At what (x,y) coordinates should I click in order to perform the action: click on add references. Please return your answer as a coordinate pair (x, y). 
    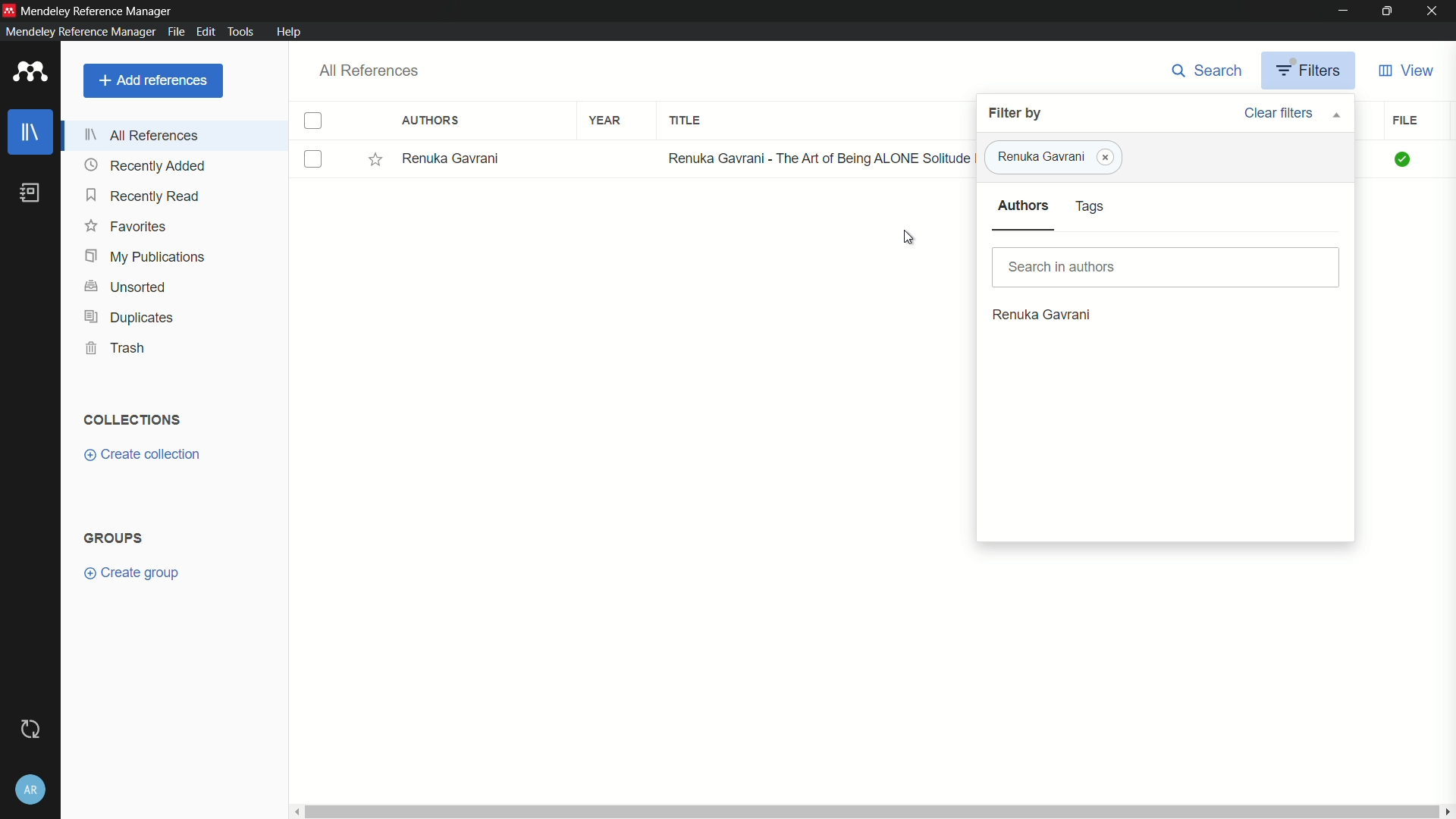
    Looking at the image, I should click on (154, 80).